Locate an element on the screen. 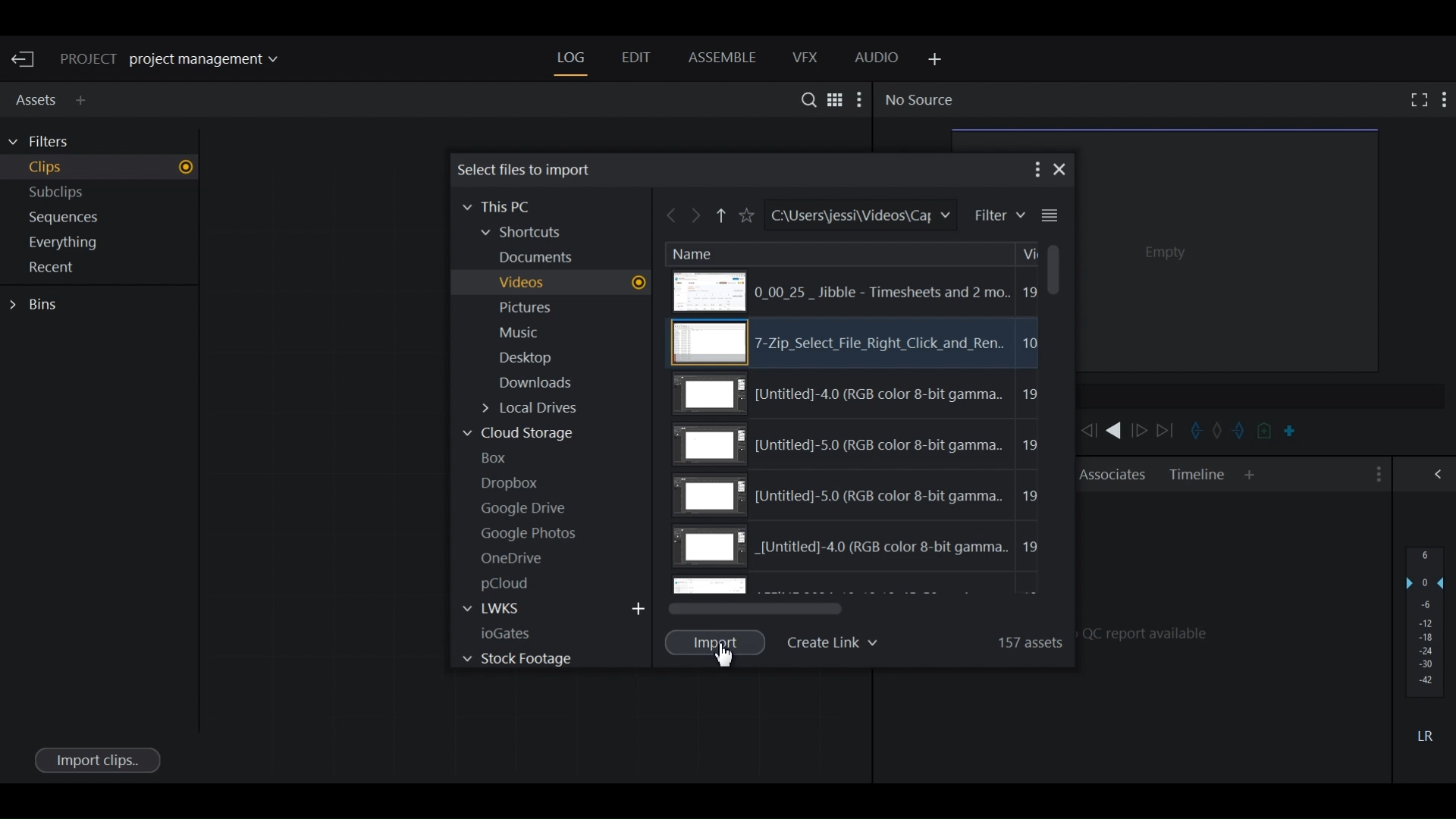 The height and width of the screenshot is (819, 1456). Assemble is located at coordinates (722, 58).